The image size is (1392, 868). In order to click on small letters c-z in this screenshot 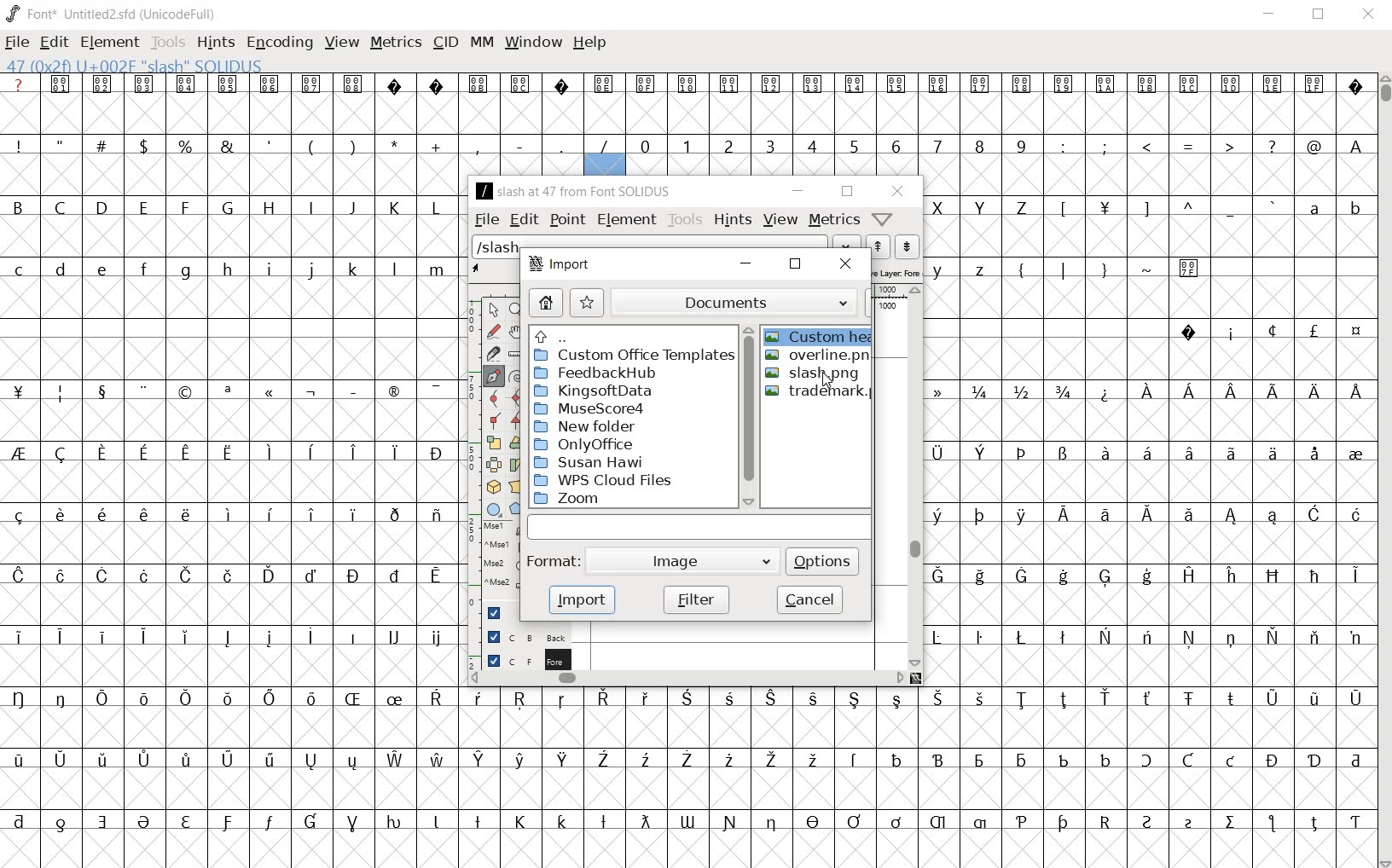, I will do `click(233, 268)`.